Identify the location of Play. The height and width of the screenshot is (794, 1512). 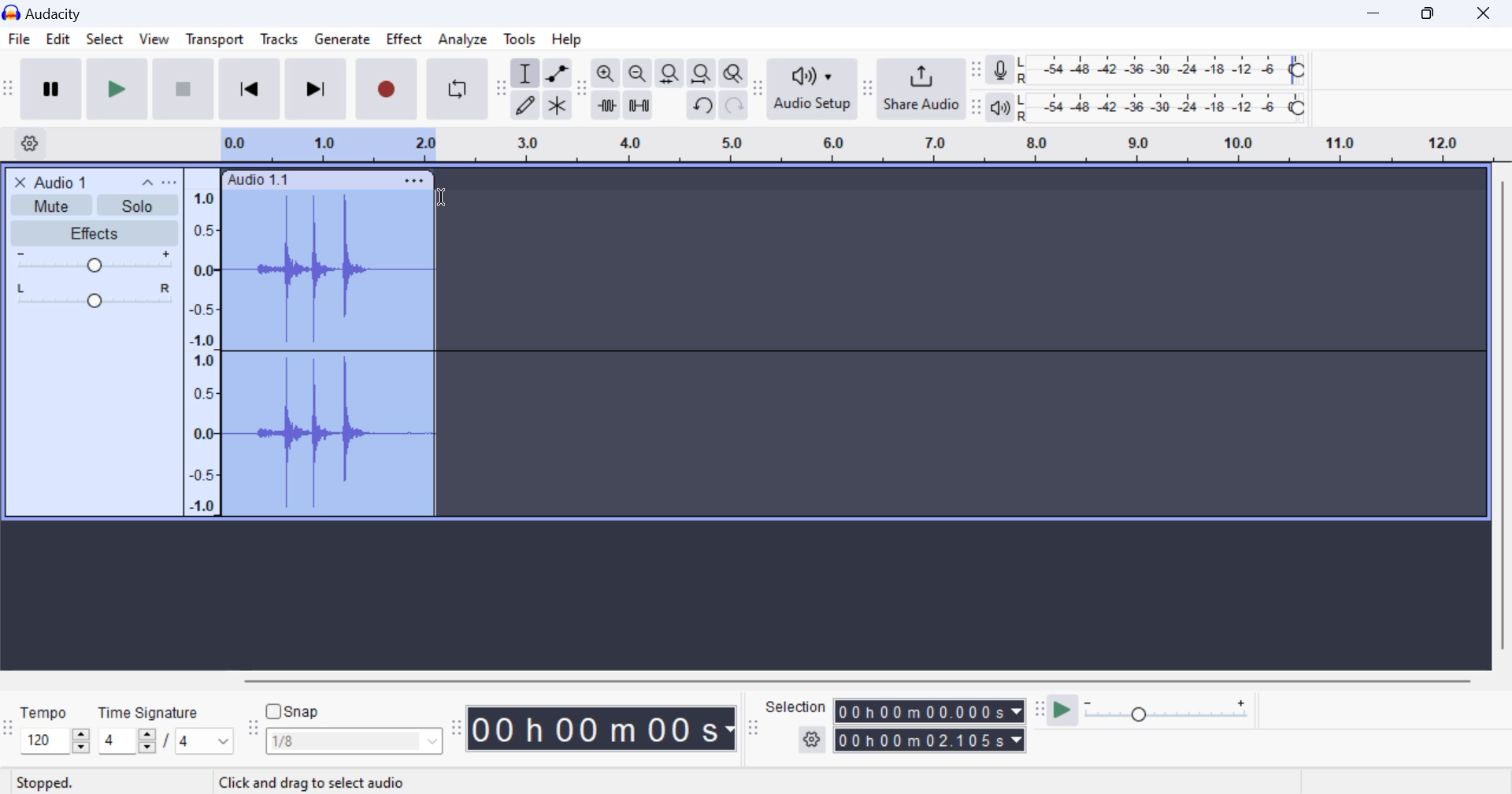
(118, 88).